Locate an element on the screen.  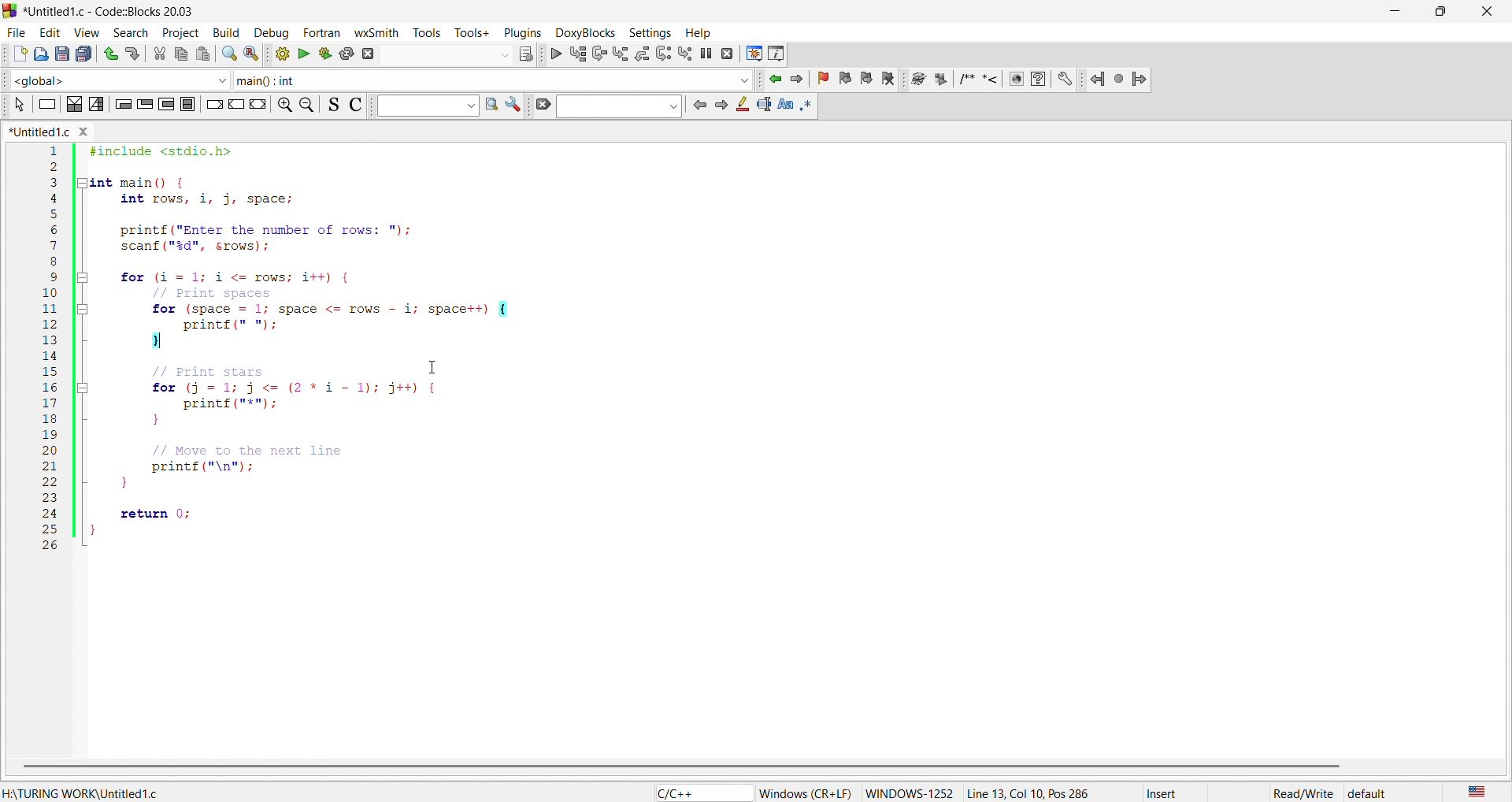
WINDOWS-1252 is located at coordinates (910, 790).